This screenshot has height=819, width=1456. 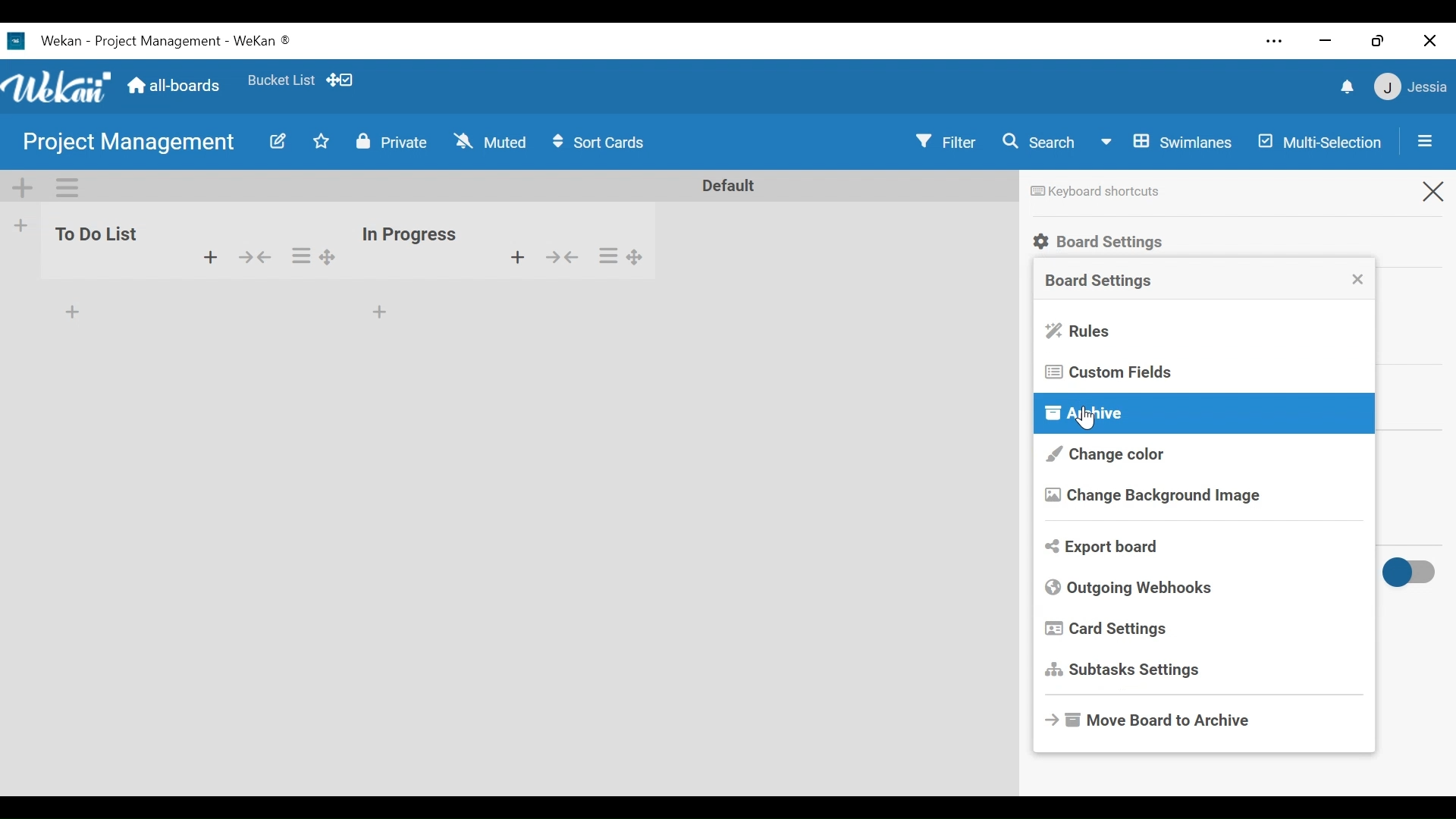 I want to click on options, so click(x=626, y=255).